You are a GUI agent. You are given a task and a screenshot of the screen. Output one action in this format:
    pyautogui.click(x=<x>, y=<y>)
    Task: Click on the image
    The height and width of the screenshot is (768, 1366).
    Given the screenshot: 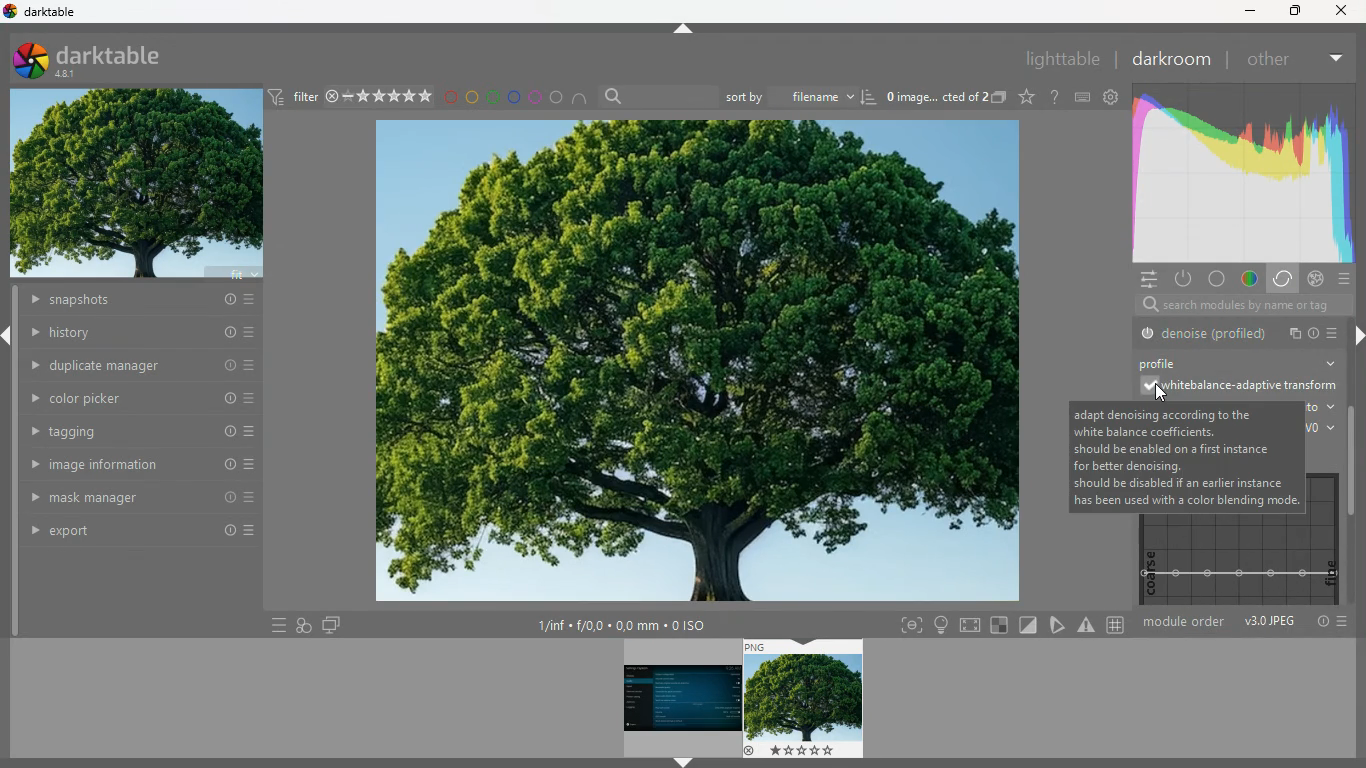 What is the action you would take?
    pyautogui.click(x=804, y=699)
    